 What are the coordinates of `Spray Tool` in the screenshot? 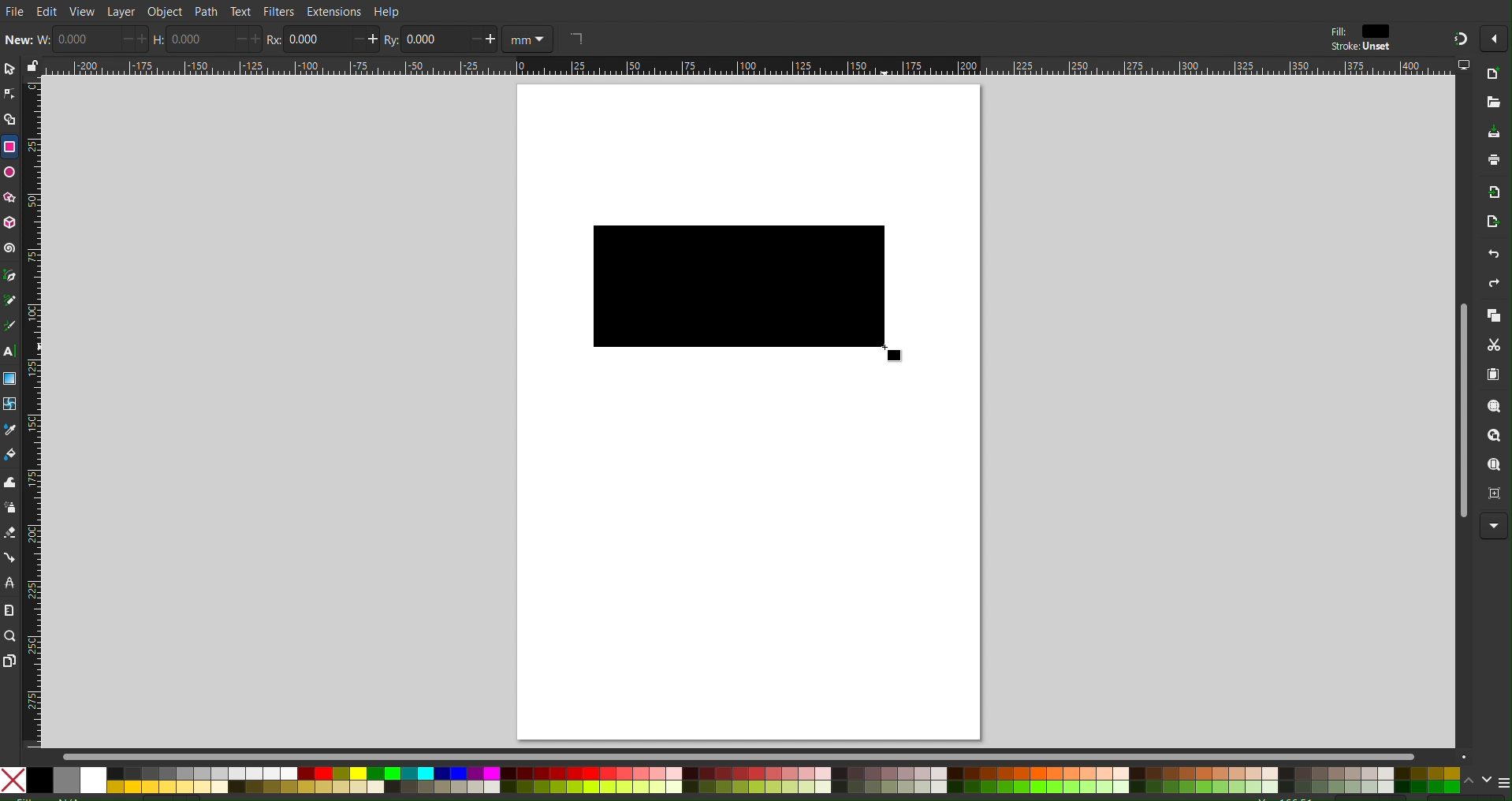 It's located at (9, 510).